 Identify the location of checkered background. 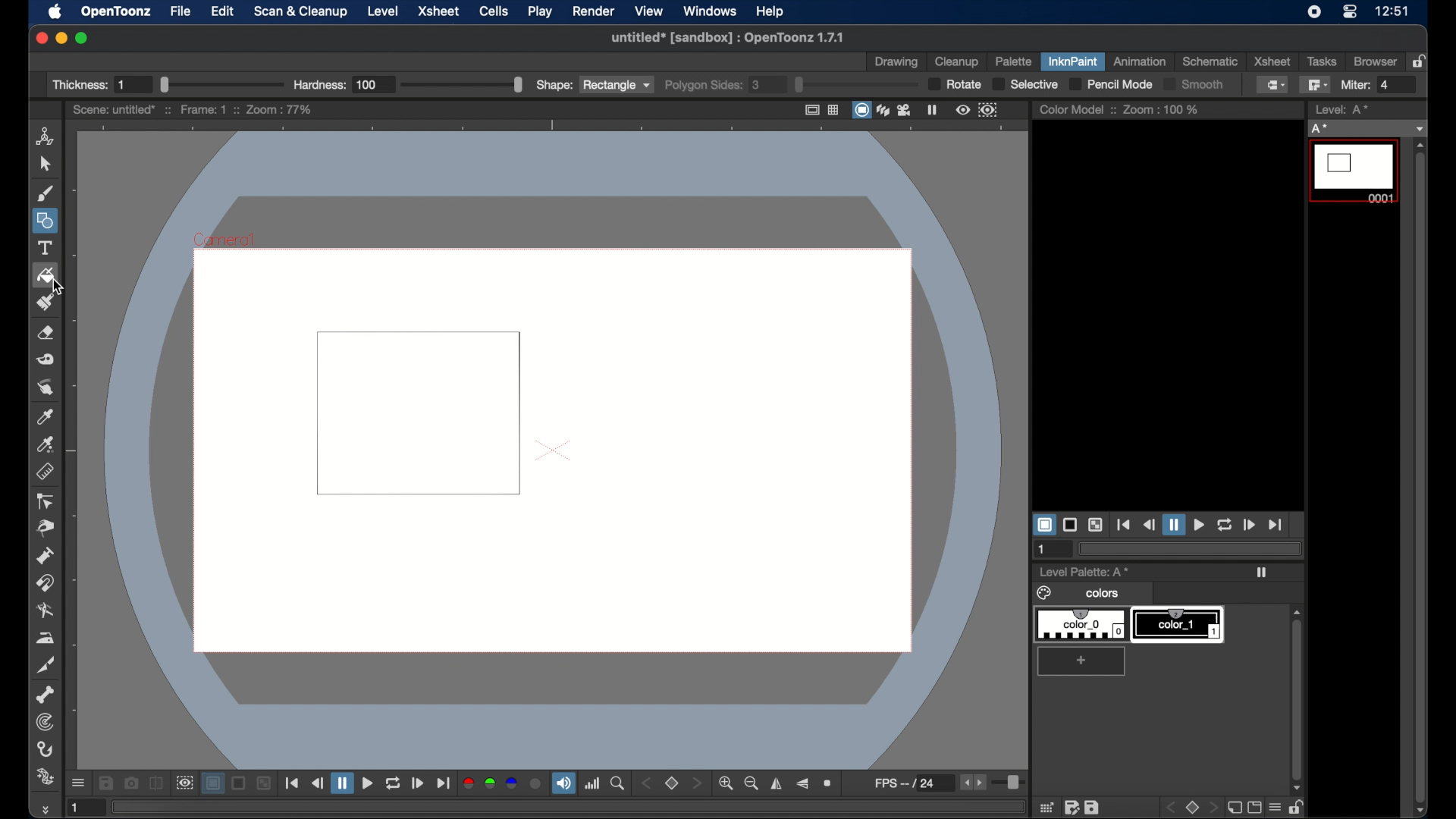
(1095, 526).